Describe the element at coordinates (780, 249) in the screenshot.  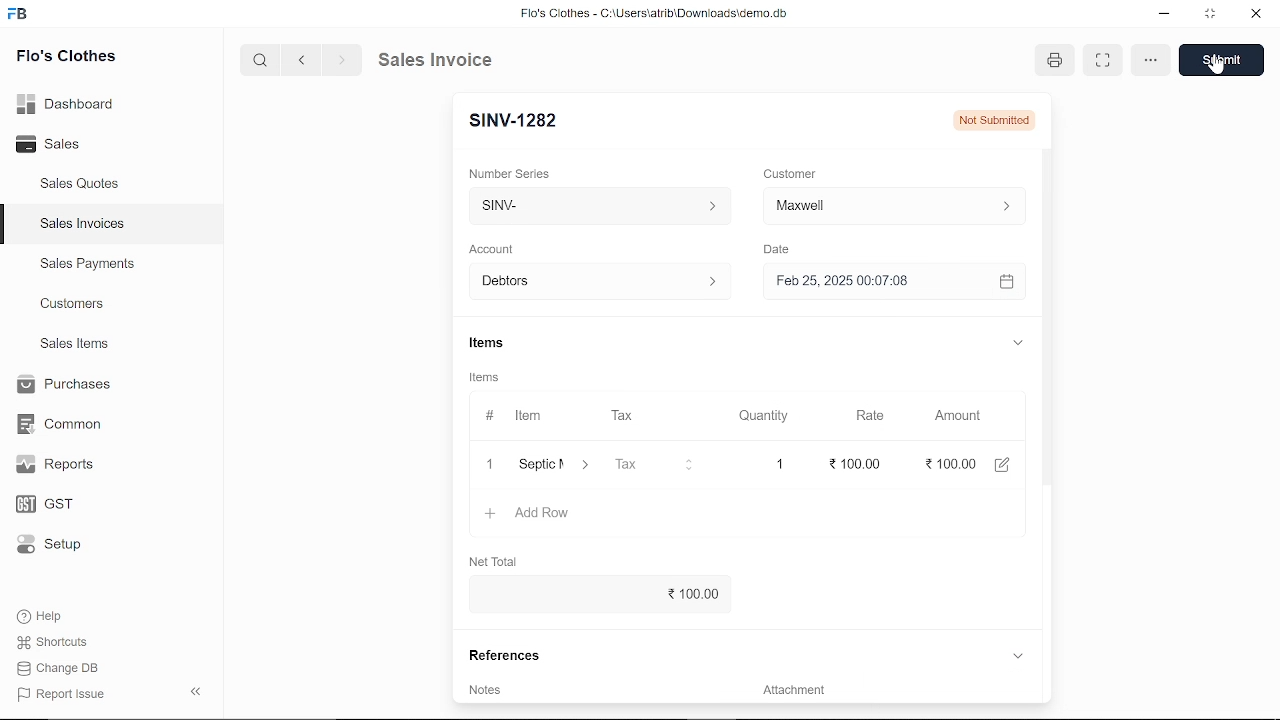
I see `Date` at that location.